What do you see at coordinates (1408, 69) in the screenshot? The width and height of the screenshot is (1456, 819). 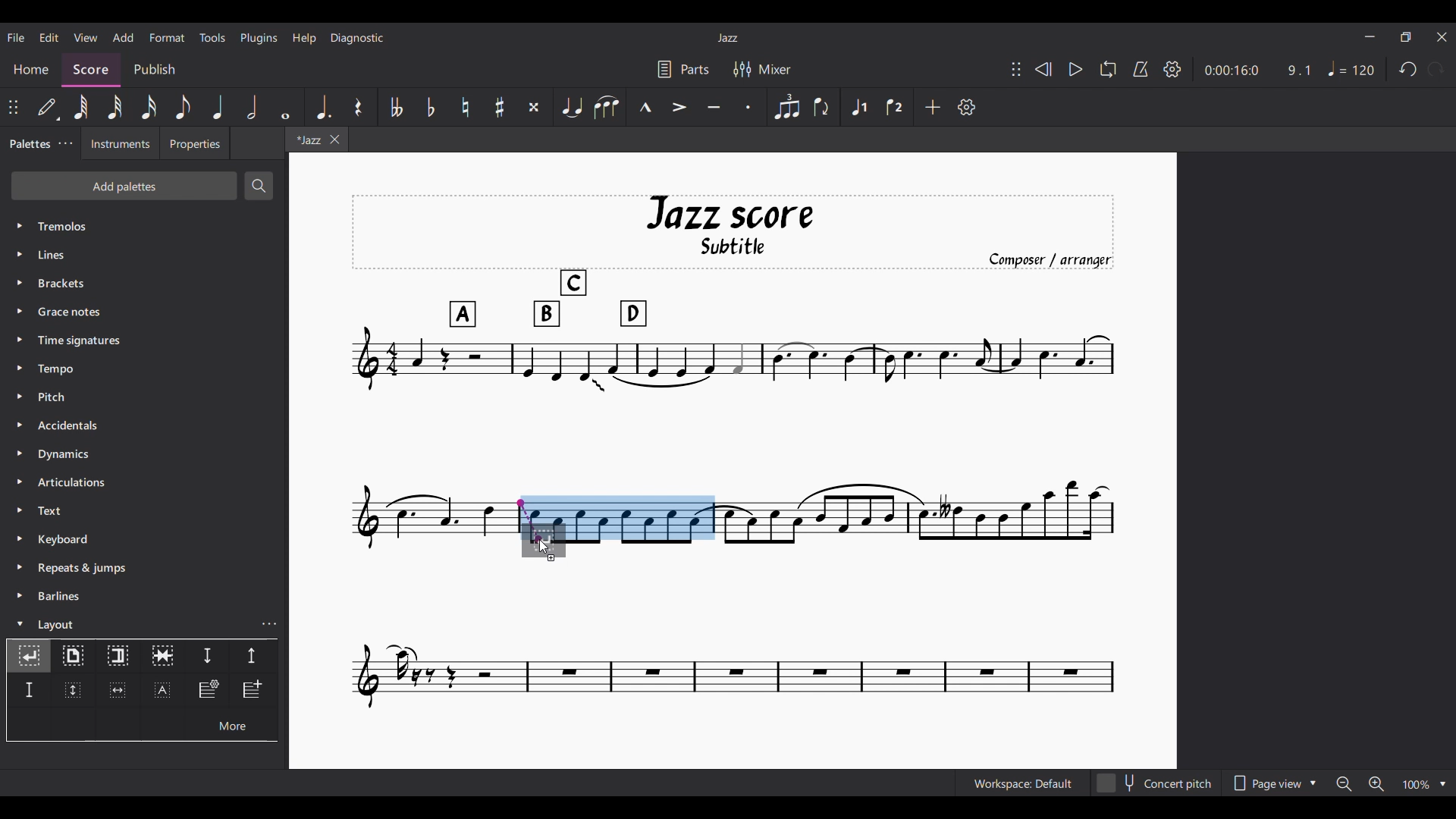 I see `Undo` at bounding box center [1408, 69].